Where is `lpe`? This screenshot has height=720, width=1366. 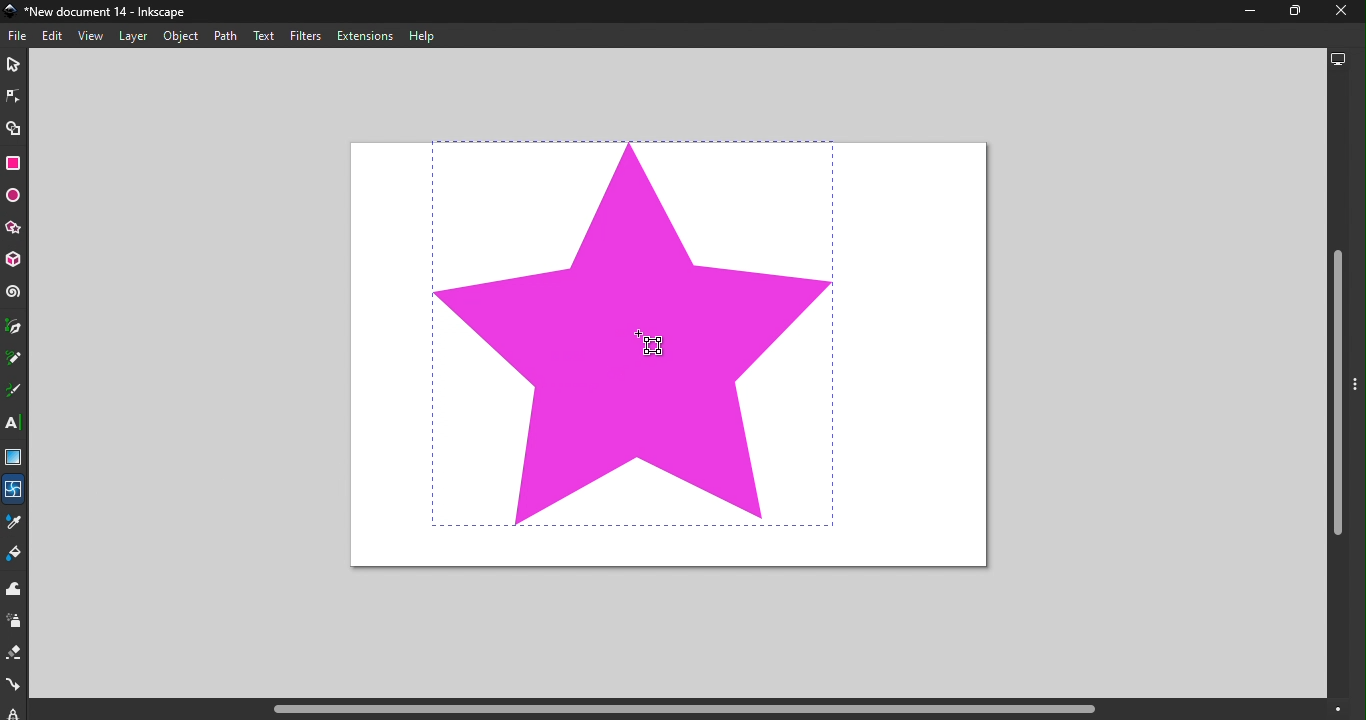 lpe is located at coordinates (9, 711).